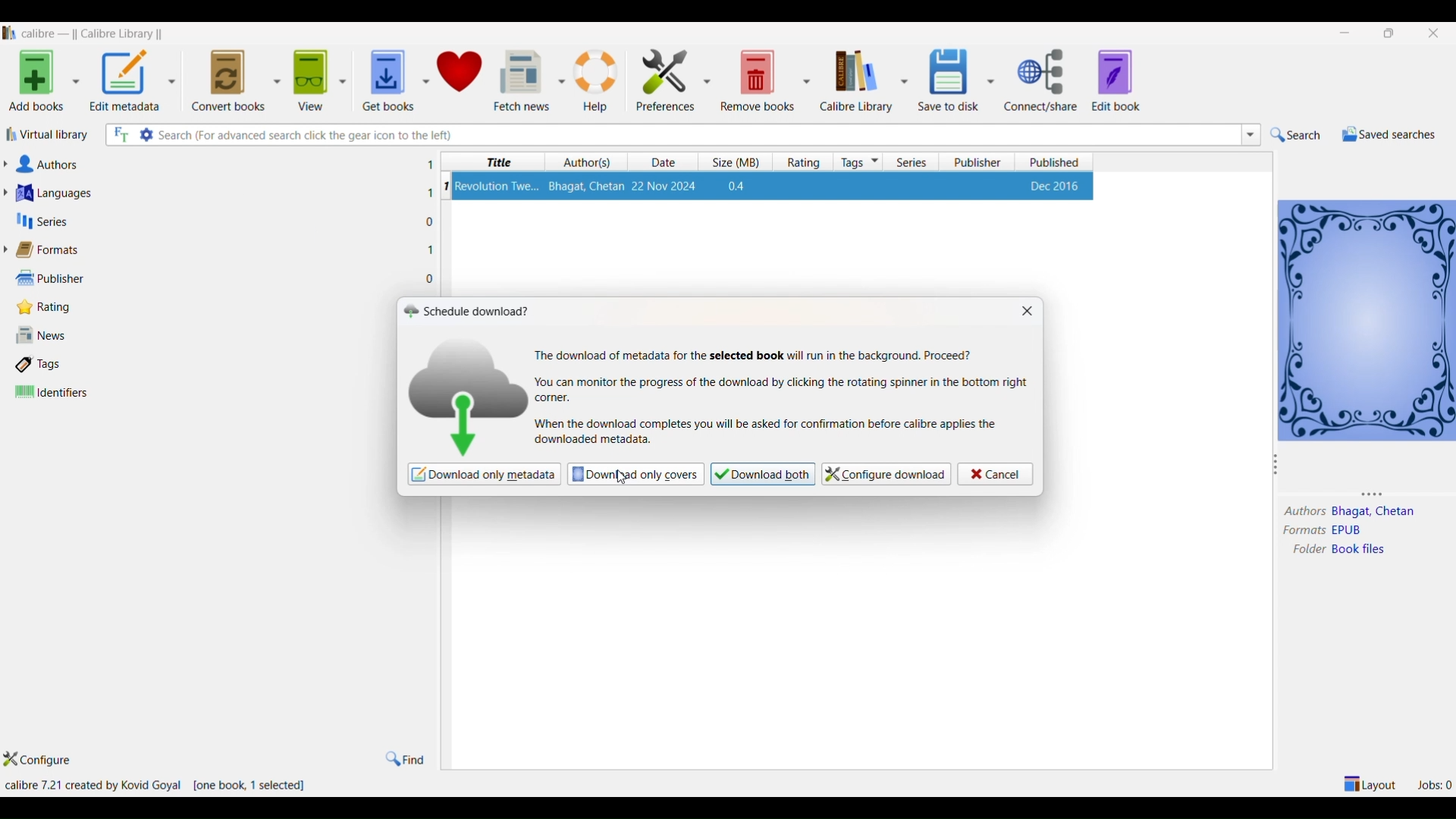  What do you see at coordinates (9, 249) in the screenshot?
I see `view all formats dropdown button` at bounding box center [9, 249].